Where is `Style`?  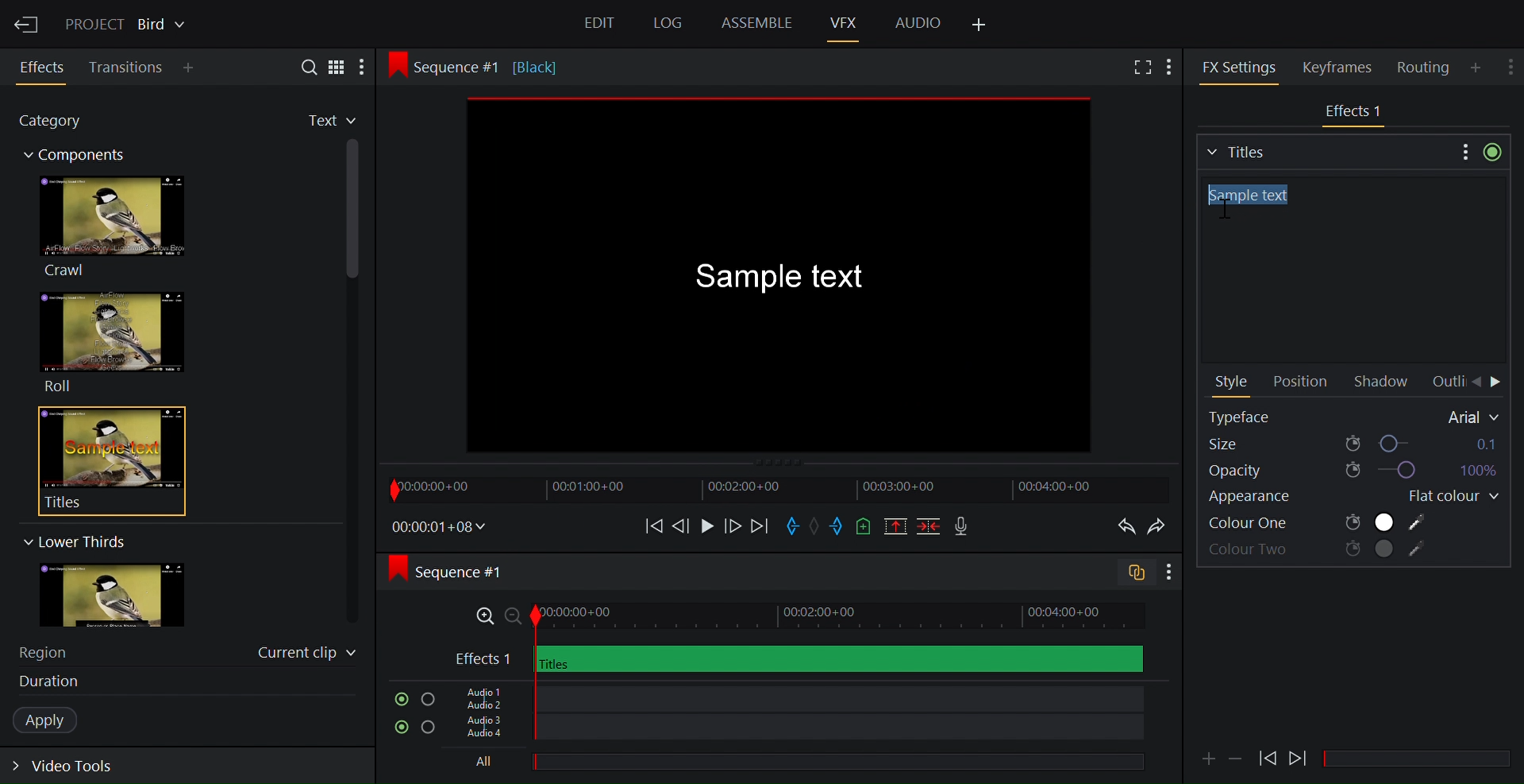
Style is located at coordinates (1233, 383).